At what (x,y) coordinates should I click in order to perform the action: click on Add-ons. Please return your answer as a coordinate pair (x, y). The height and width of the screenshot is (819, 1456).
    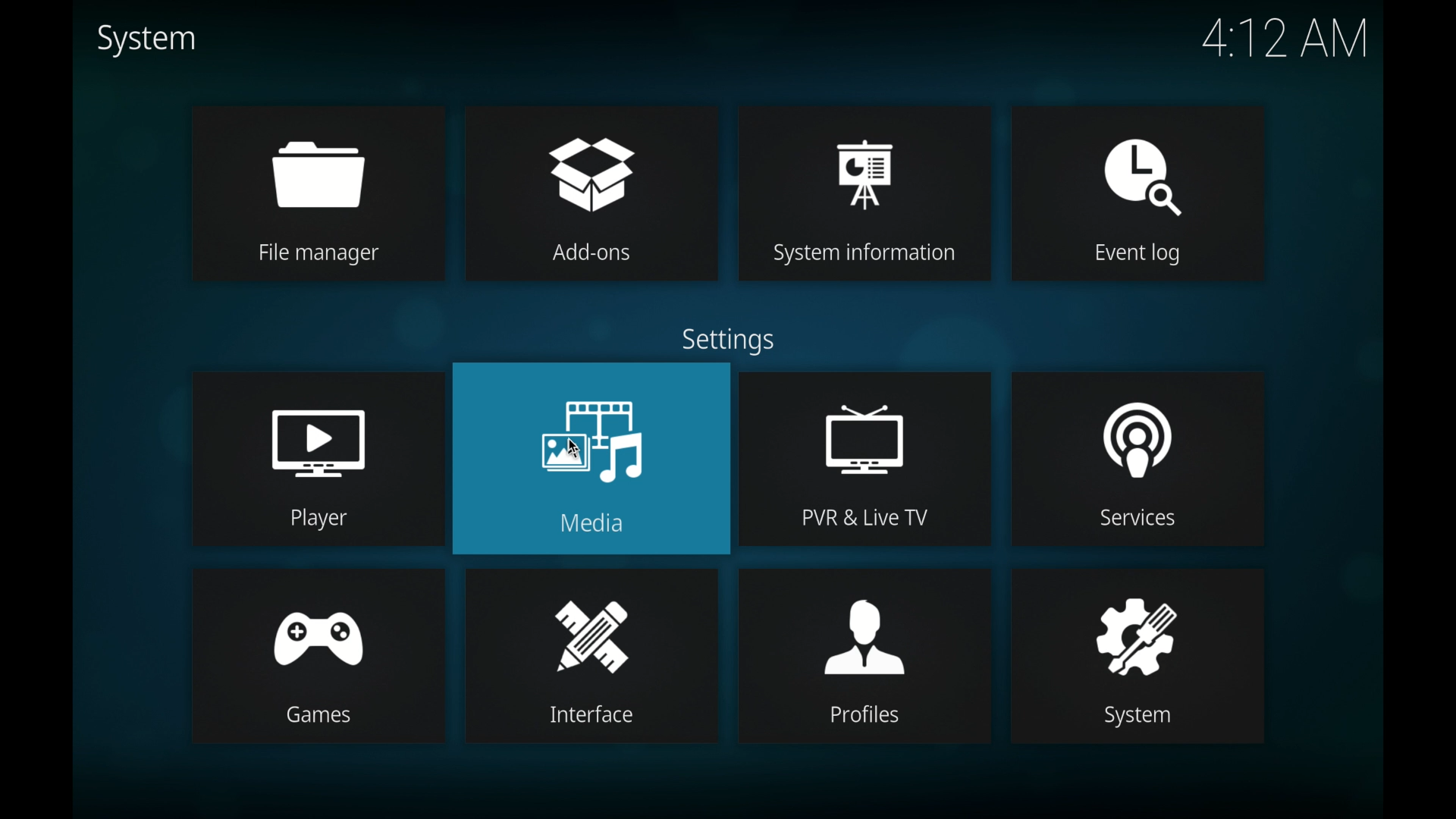
    Looking at the image, I should click on (597, 258).